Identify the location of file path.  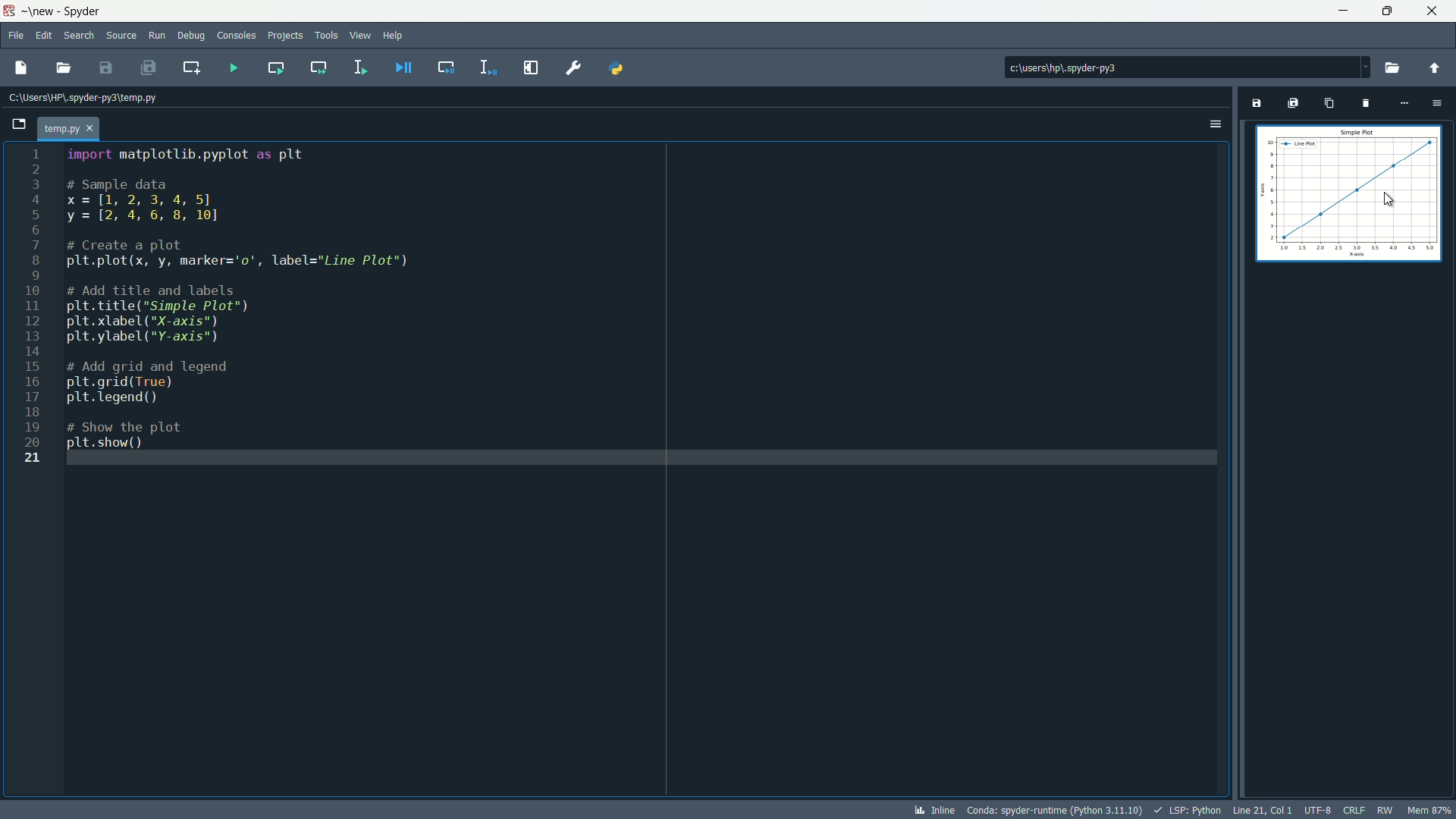
(90, 99).